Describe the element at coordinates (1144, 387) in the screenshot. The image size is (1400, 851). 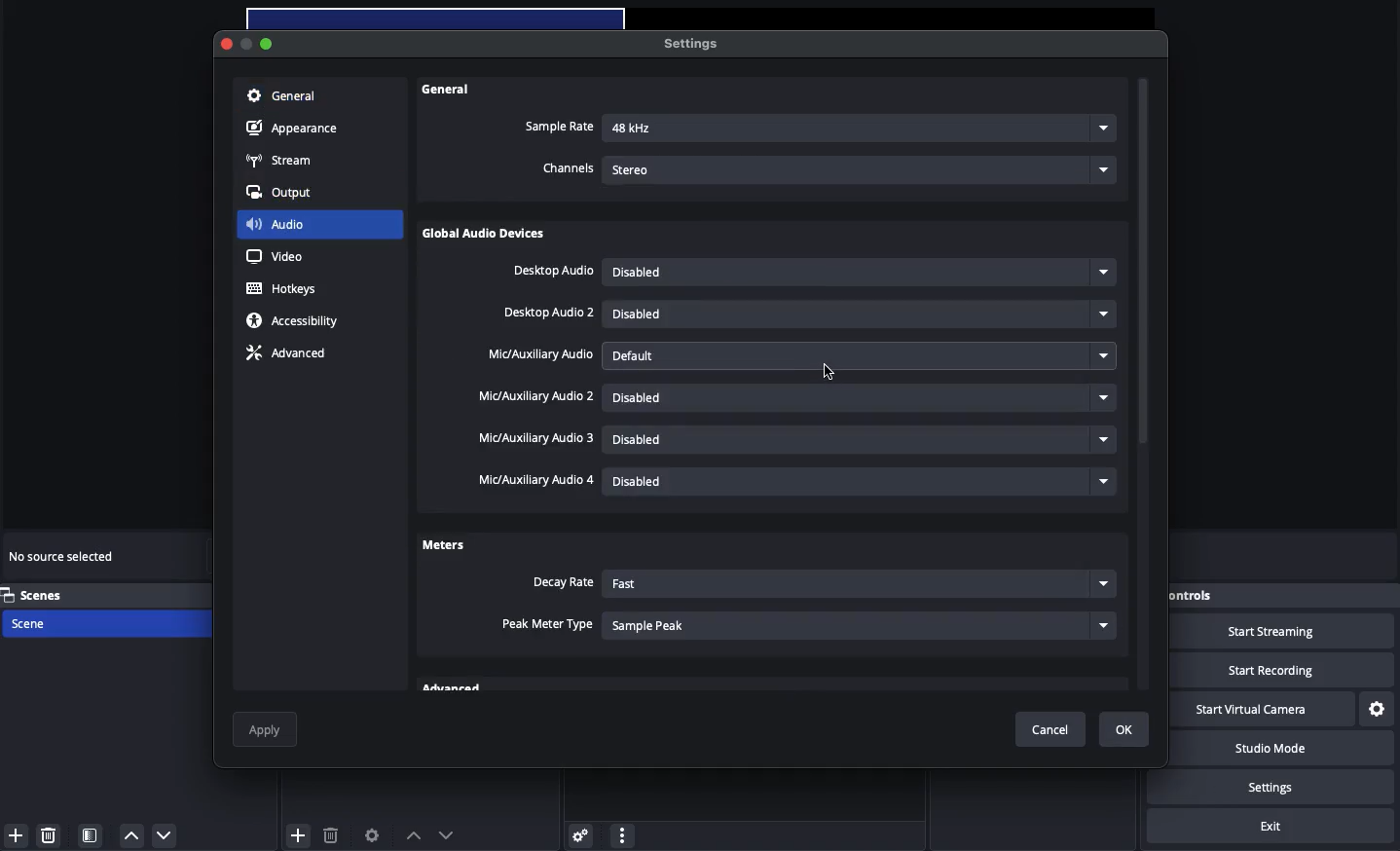
I see `Scroll` at that location.